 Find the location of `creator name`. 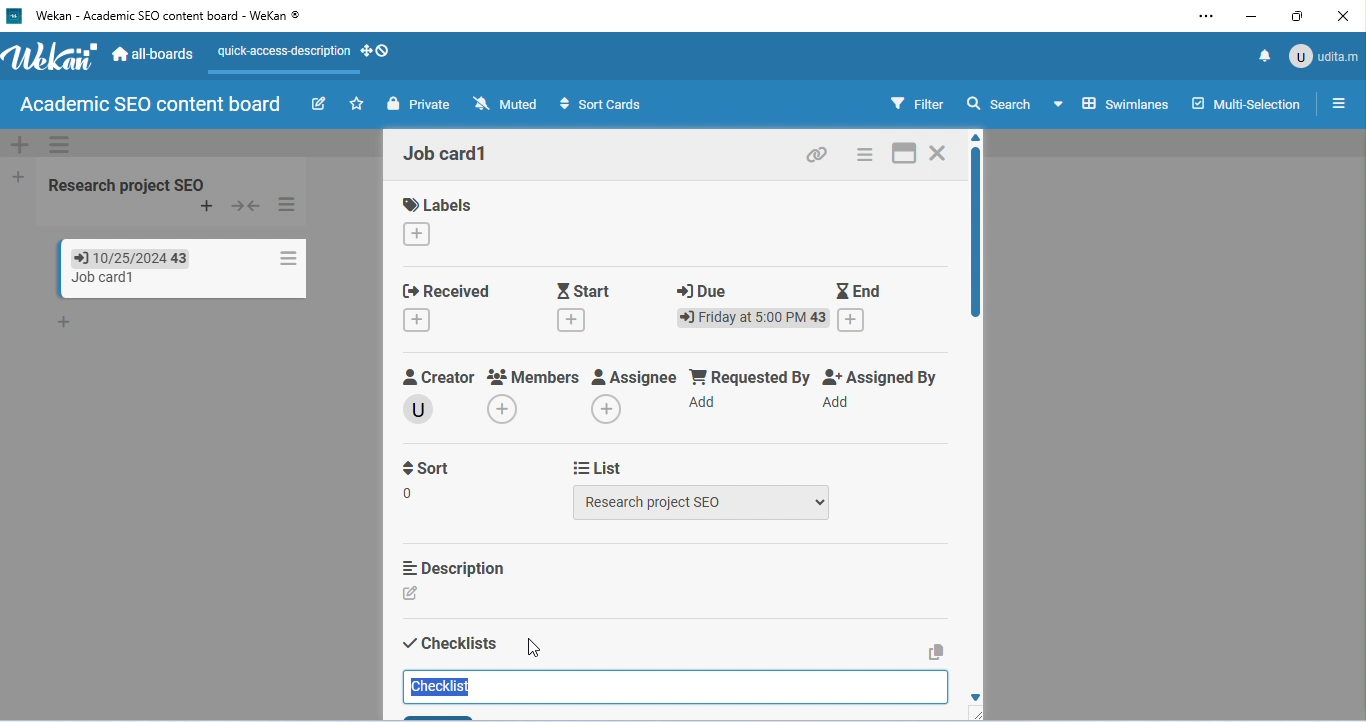

creator name is located at coordinates (423, 408).